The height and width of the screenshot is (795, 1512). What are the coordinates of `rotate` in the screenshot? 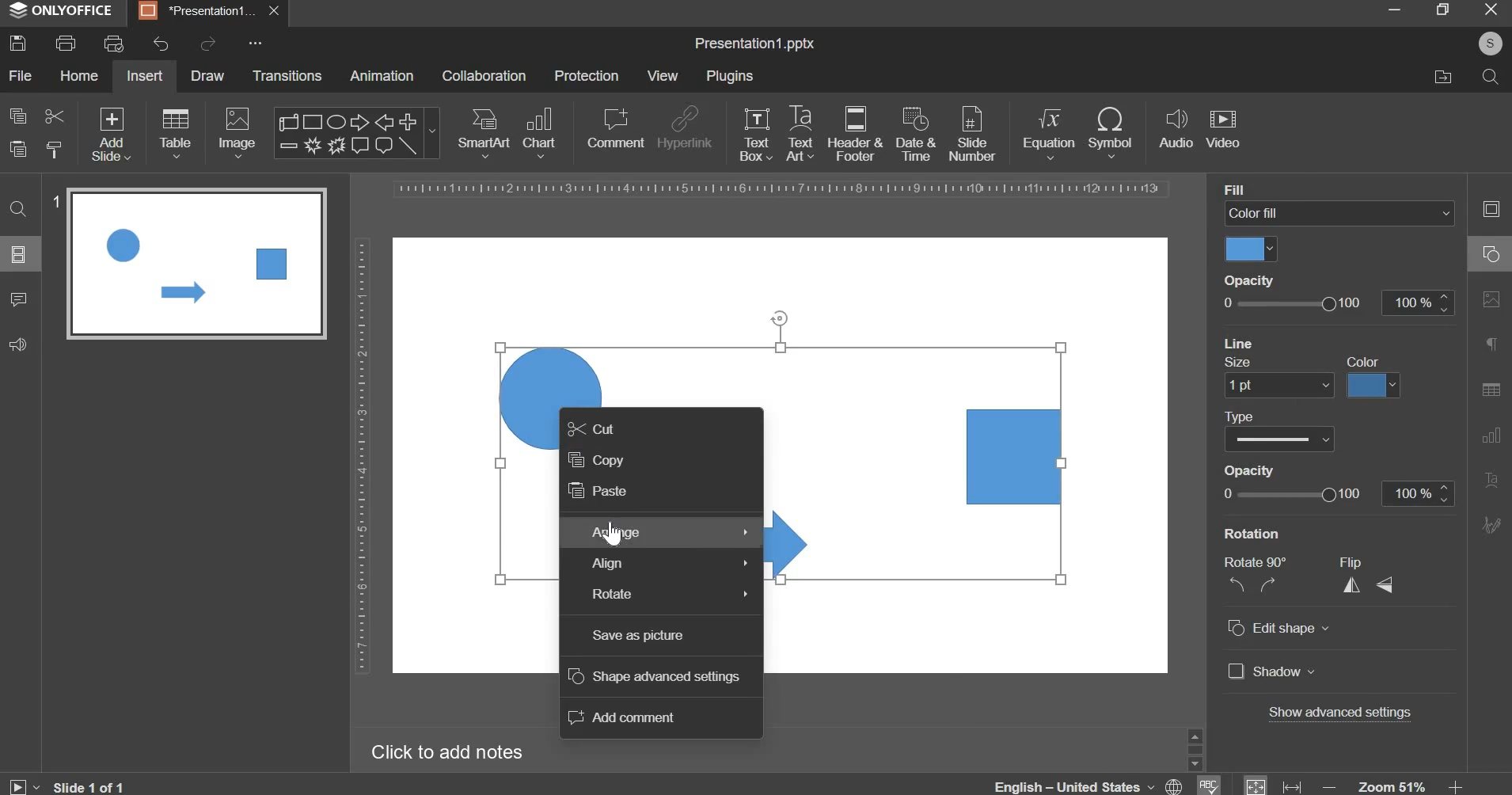 It's located at (669, 594).